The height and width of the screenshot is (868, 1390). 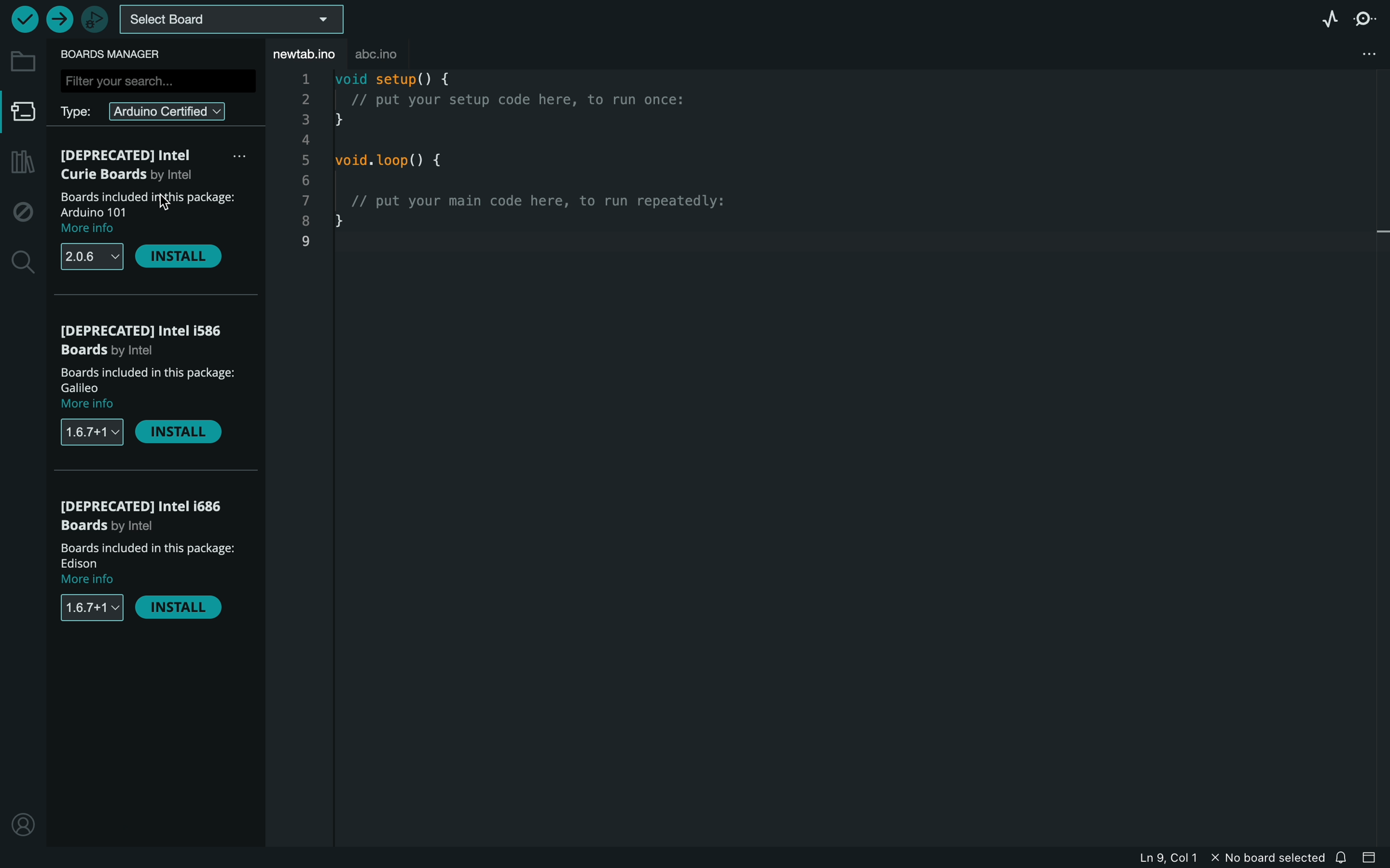 What do you see at coordinates (1328, 20) in the screenshot?
I see `serial plotter` at bounding box center [1328, 20].